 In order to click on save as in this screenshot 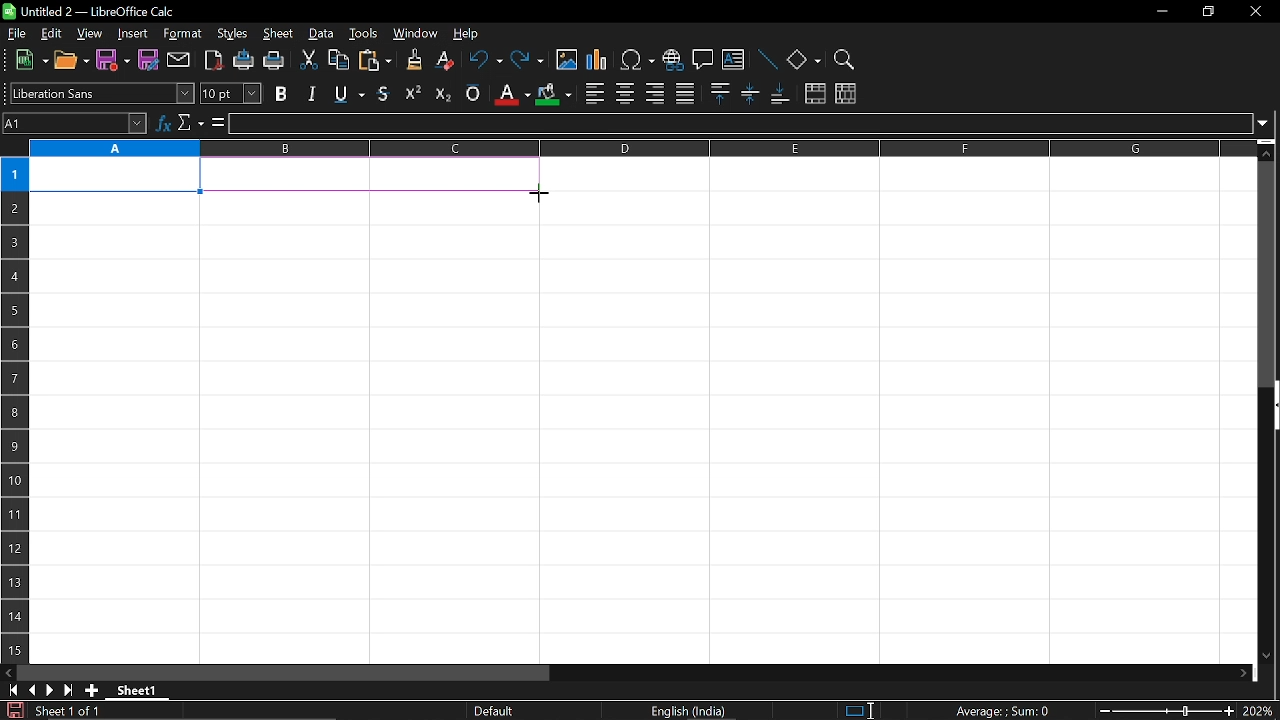, I will do `click(148, 59)`.